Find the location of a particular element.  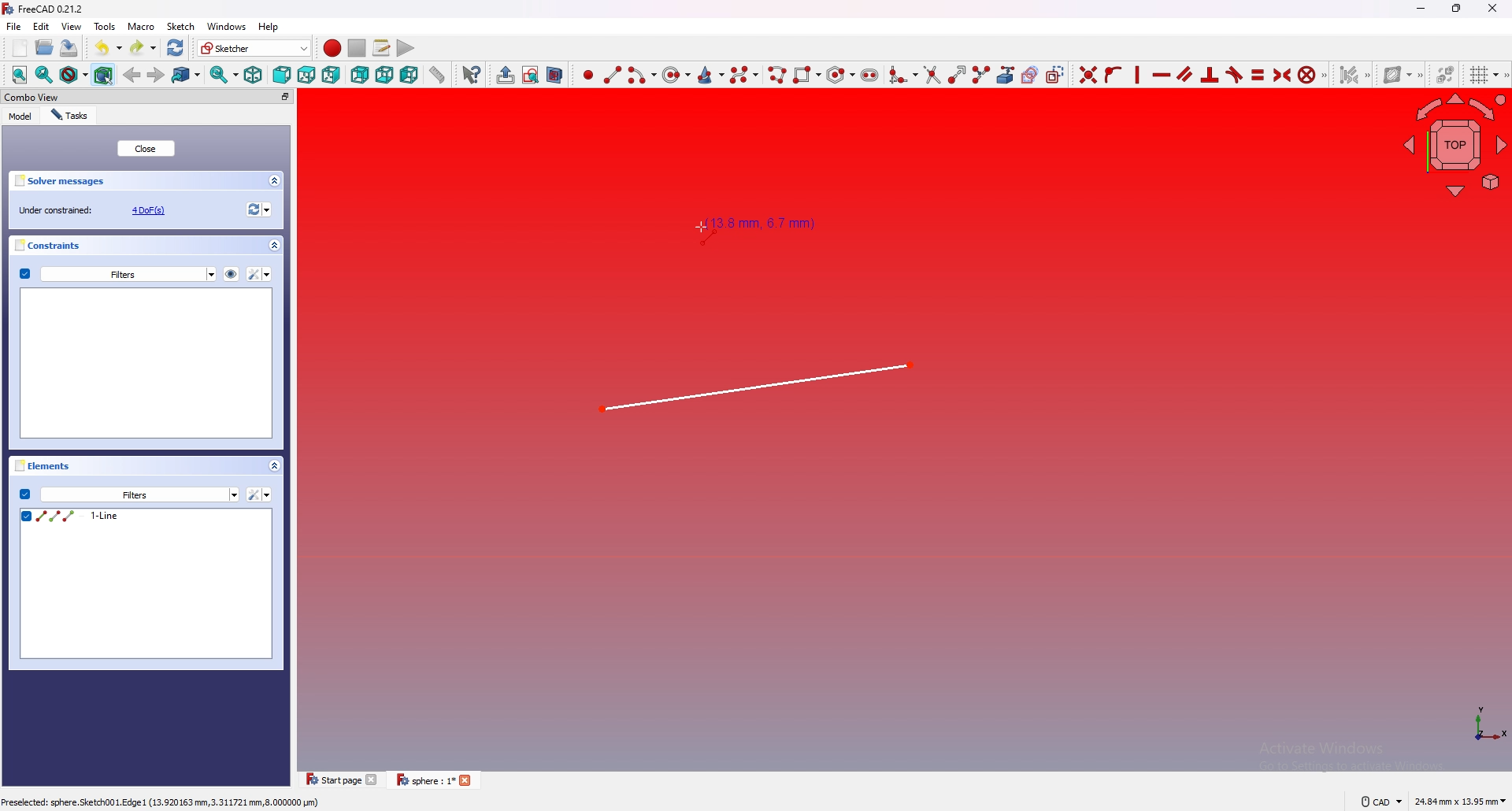

Undo is located at coordinates (102, 46).